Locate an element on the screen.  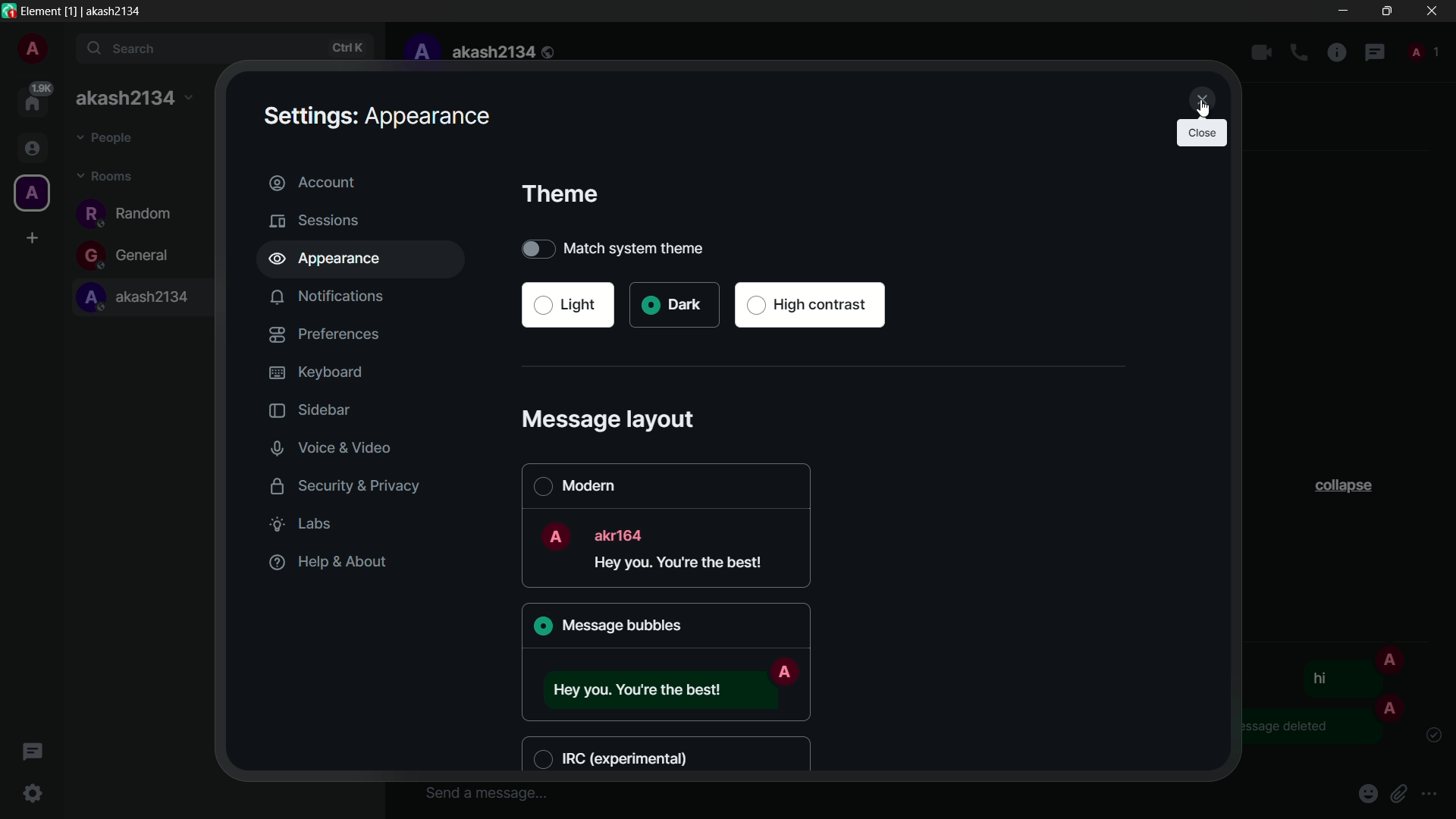
irc experimental is located at coordinates (617, 757).